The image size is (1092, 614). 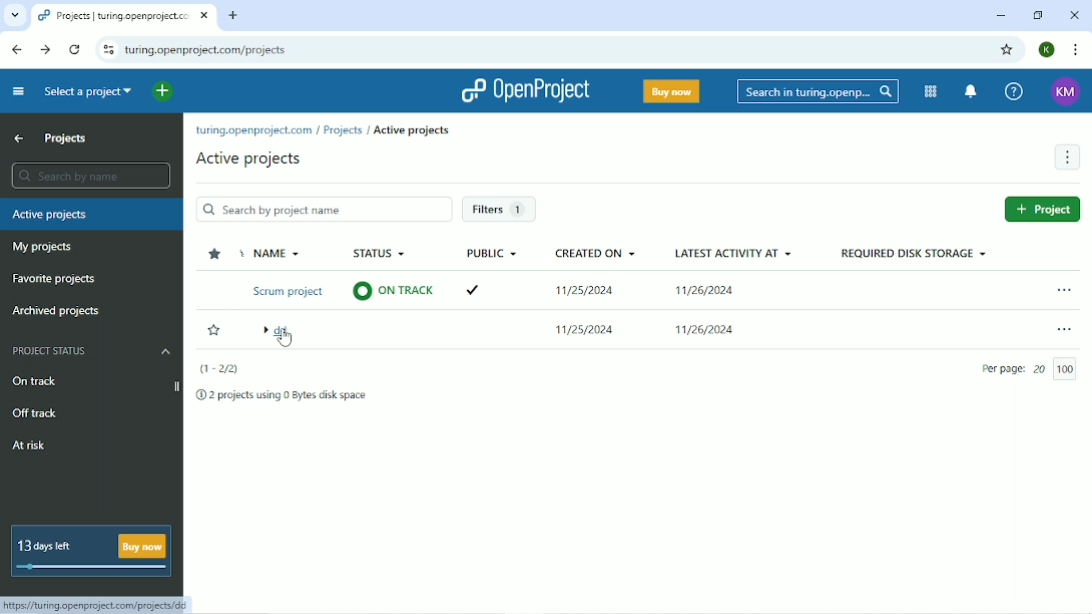 What do you see at coordinates (382, 254) in the screenshot?
I see `Status` at bounding box center [382, 254].